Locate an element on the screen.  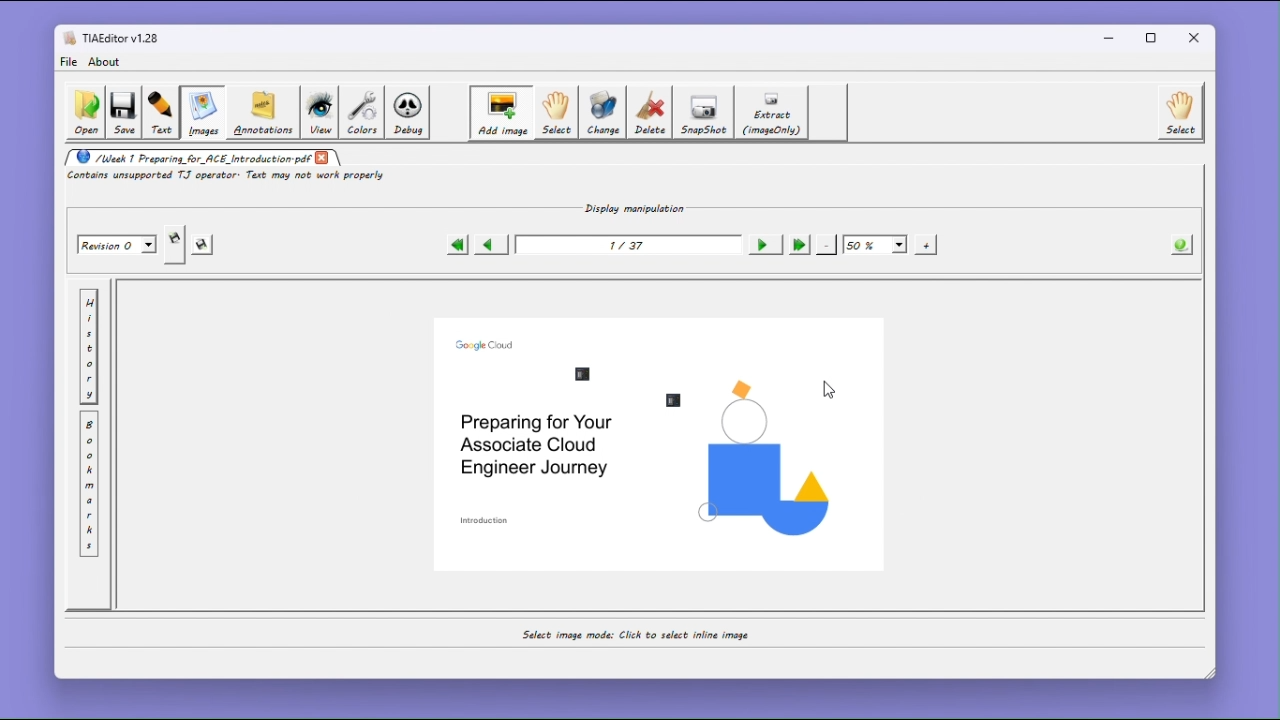
SnapShot is located at coordinates (706, 113).